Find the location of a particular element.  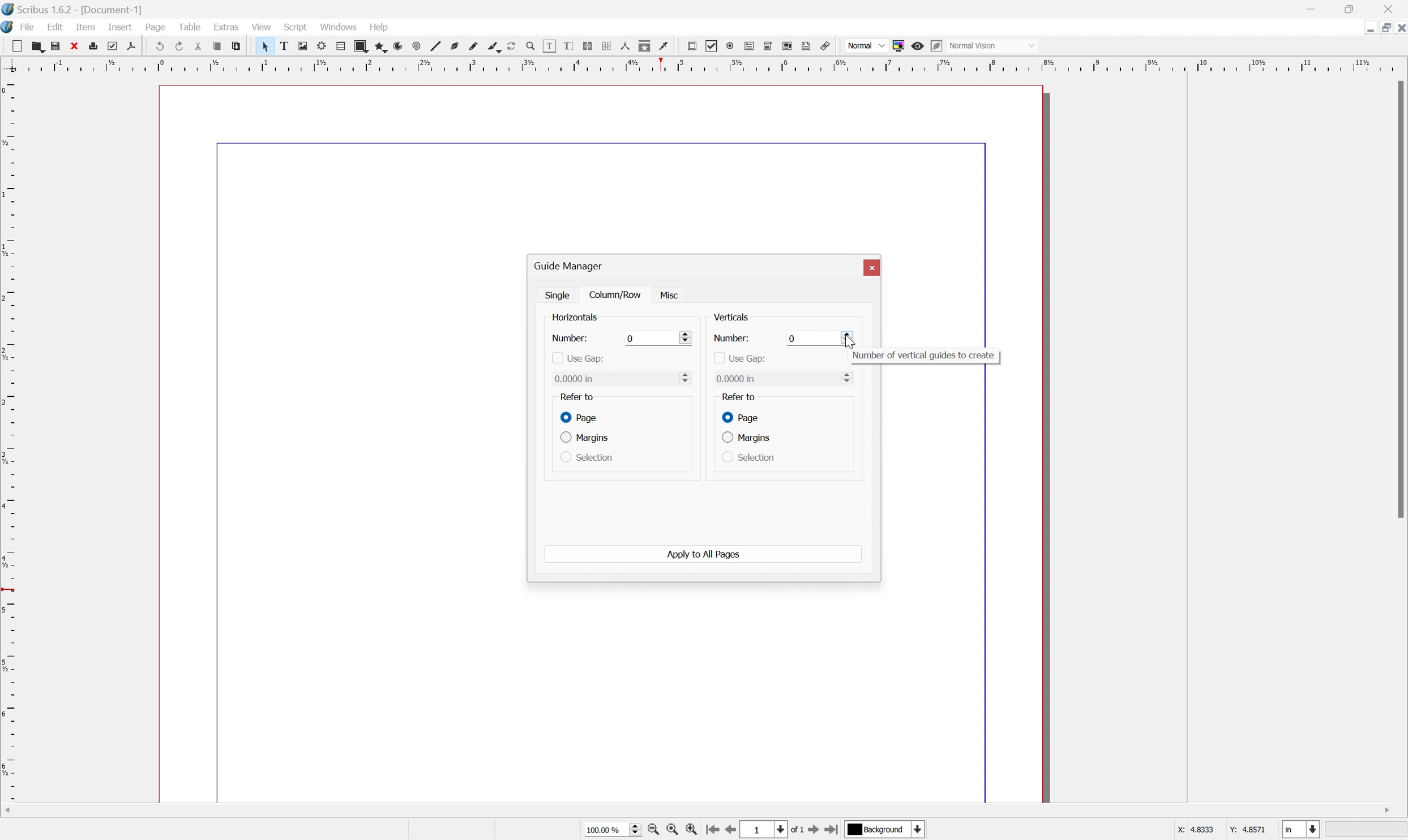

go to previous page is located at coordinates (730, 831).